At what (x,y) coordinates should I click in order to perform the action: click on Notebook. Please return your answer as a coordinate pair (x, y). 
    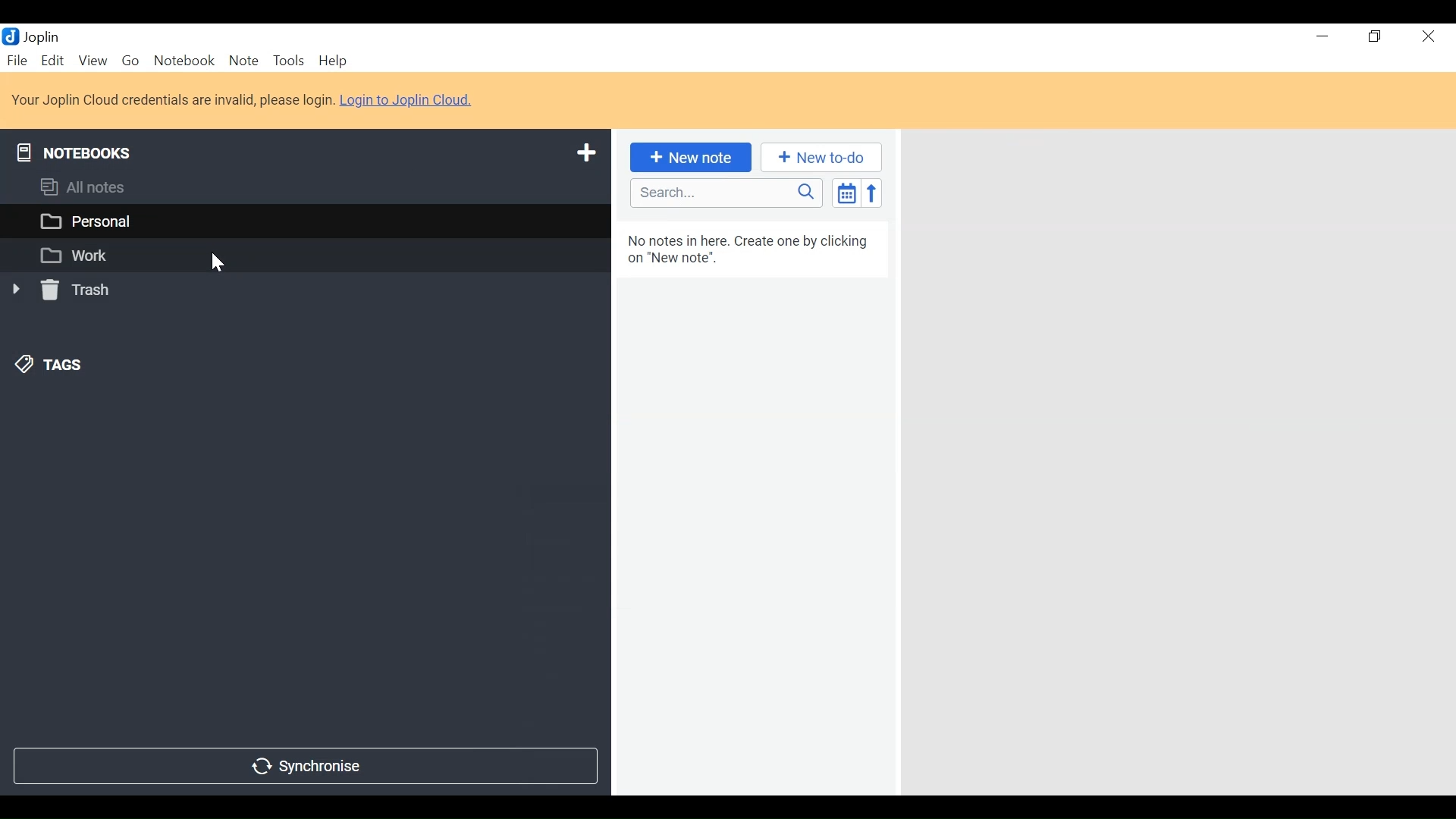
    Looking at the image, I should click on (183, 61).